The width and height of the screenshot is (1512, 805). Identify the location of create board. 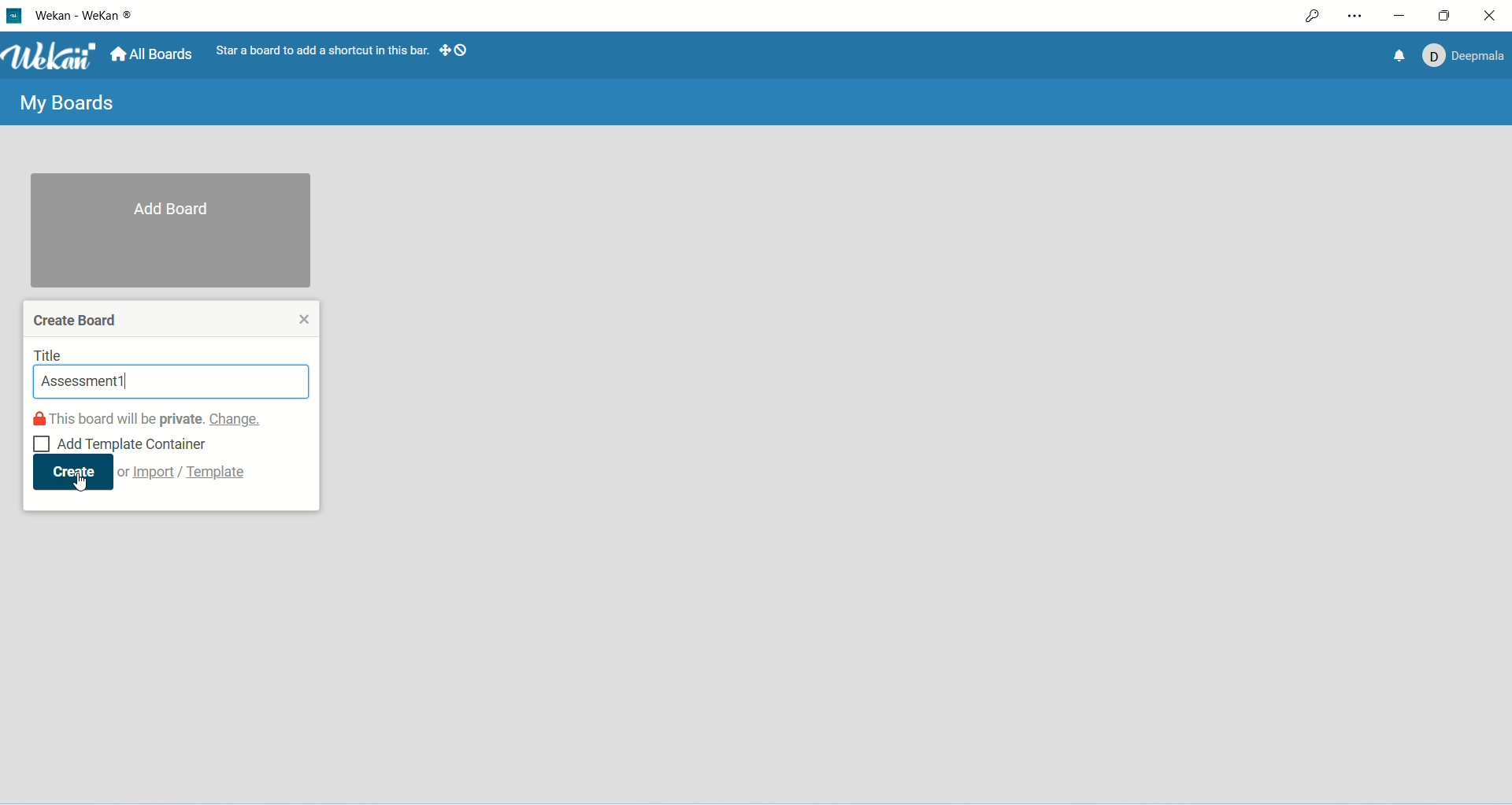
(74, 321).